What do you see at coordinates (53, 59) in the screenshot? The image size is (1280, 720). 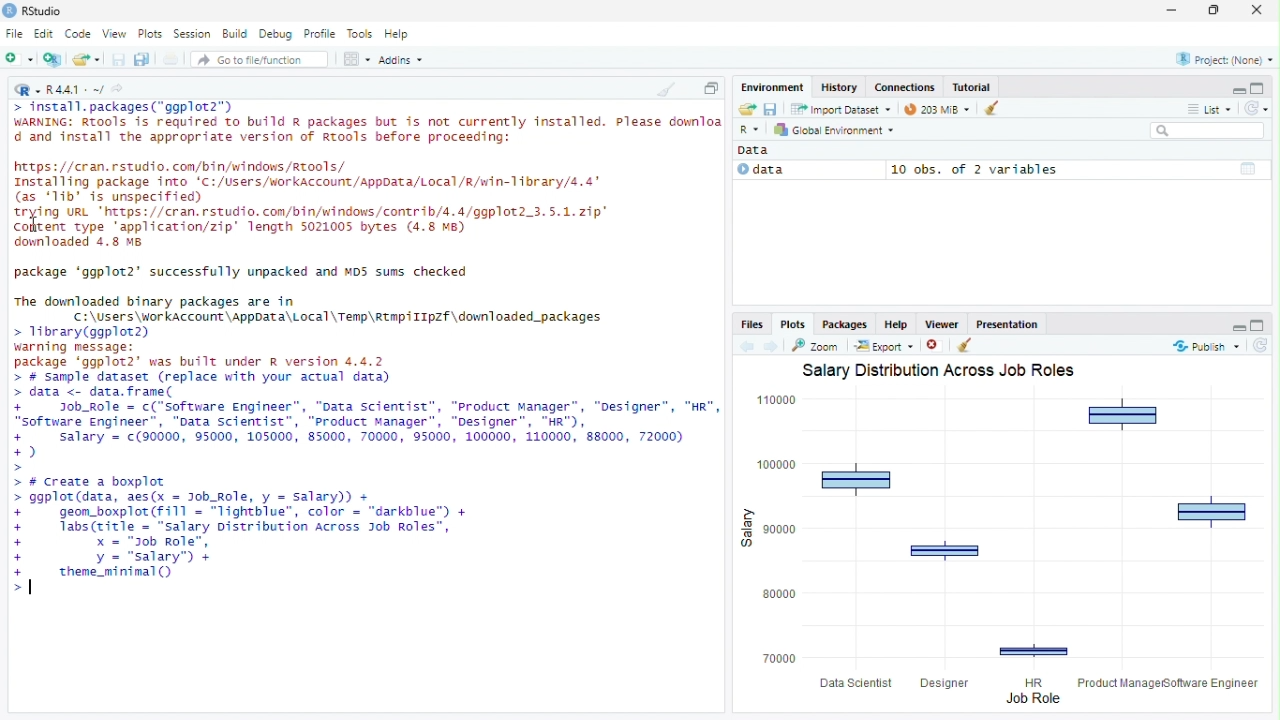 I see `create a project` at bounding box center [53, 59].